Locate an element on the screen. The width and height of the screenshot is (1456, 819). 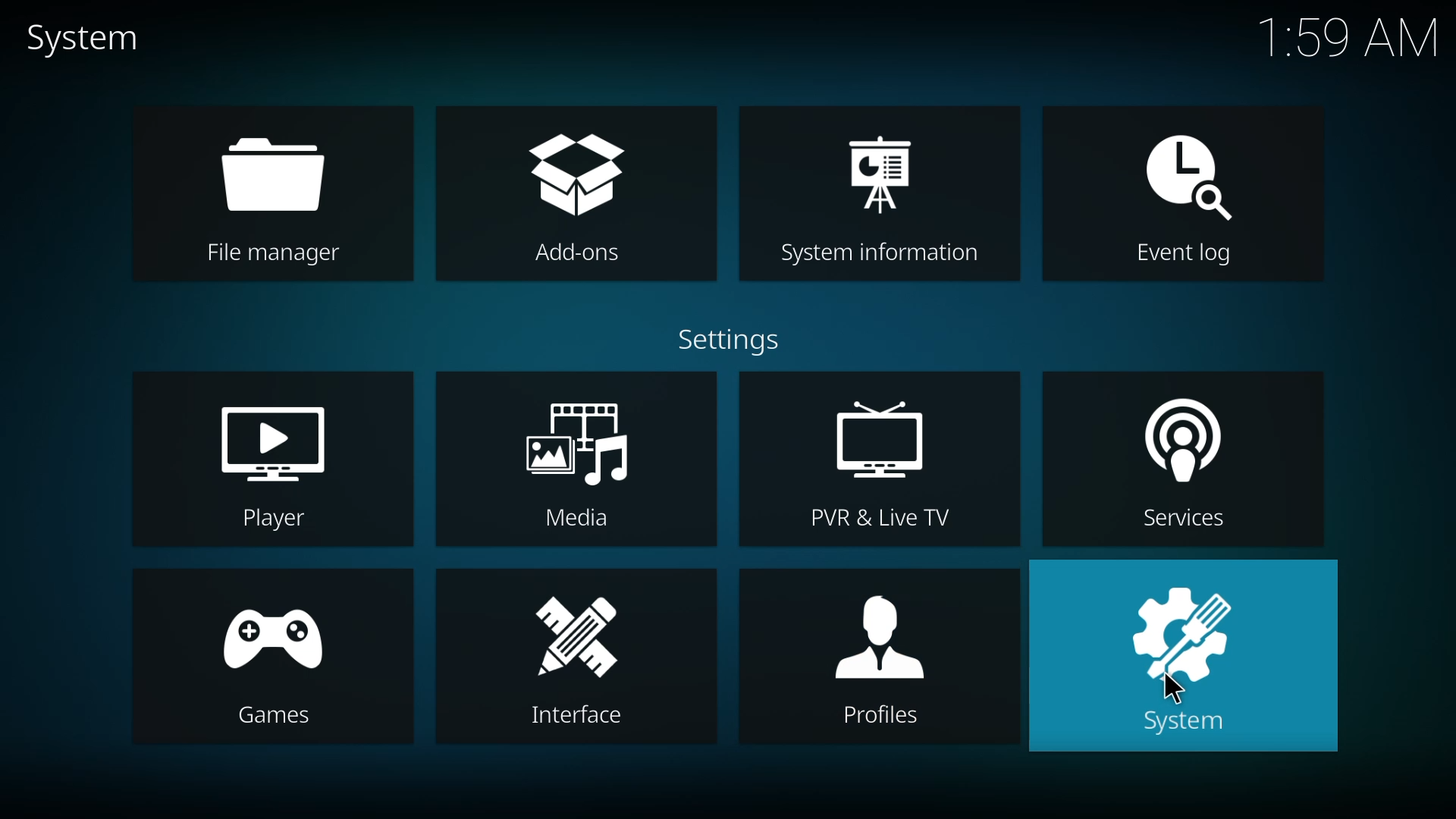
games is located at coordinates (278, 656).